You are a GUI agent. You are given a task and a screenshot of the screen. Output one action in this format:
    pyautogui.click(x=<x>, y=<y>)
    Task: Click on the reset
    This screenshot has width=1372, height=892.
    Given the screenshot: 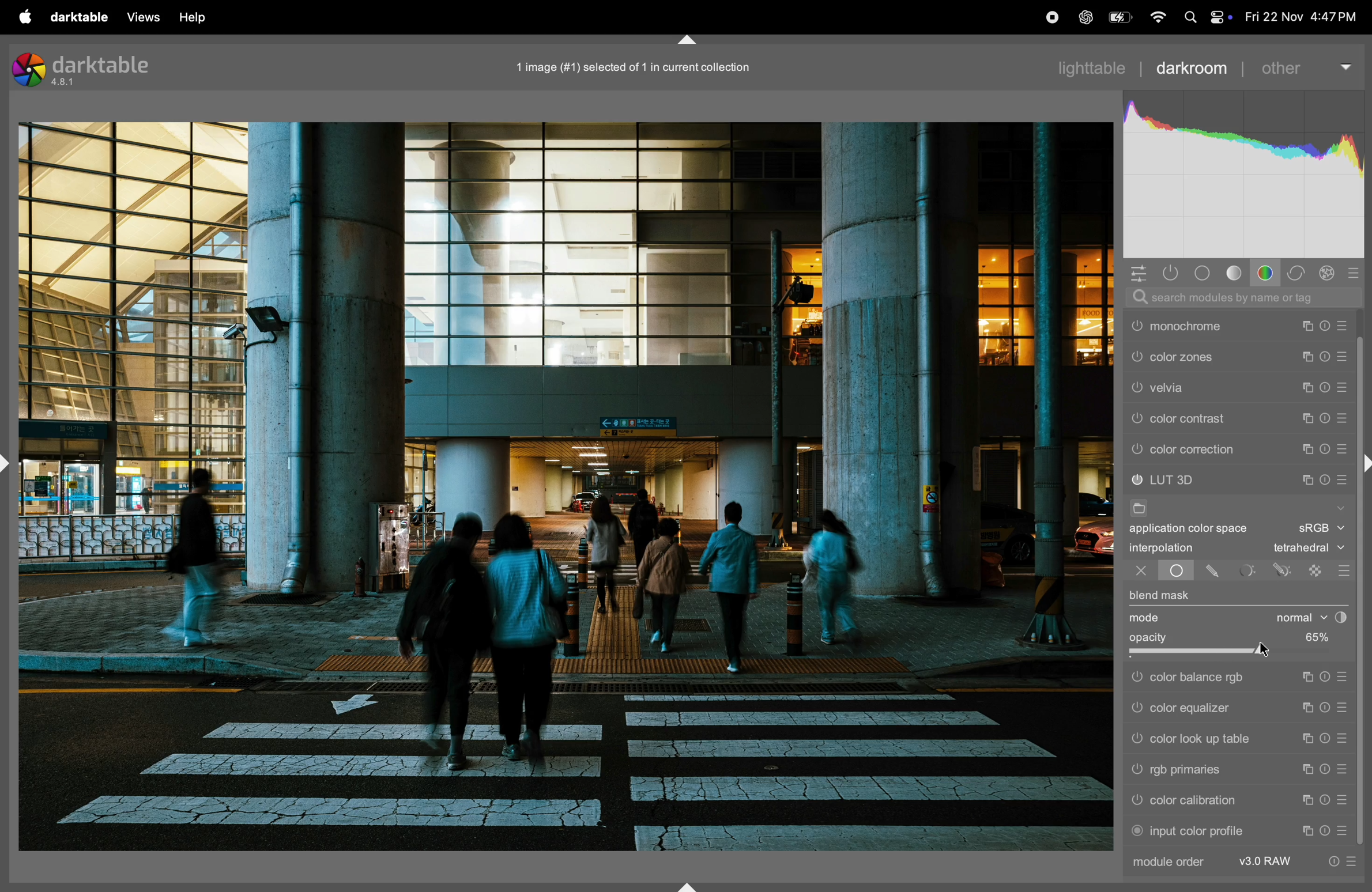 What is the action you would take?
    pyautogui.click(x=1326, y=678)
    